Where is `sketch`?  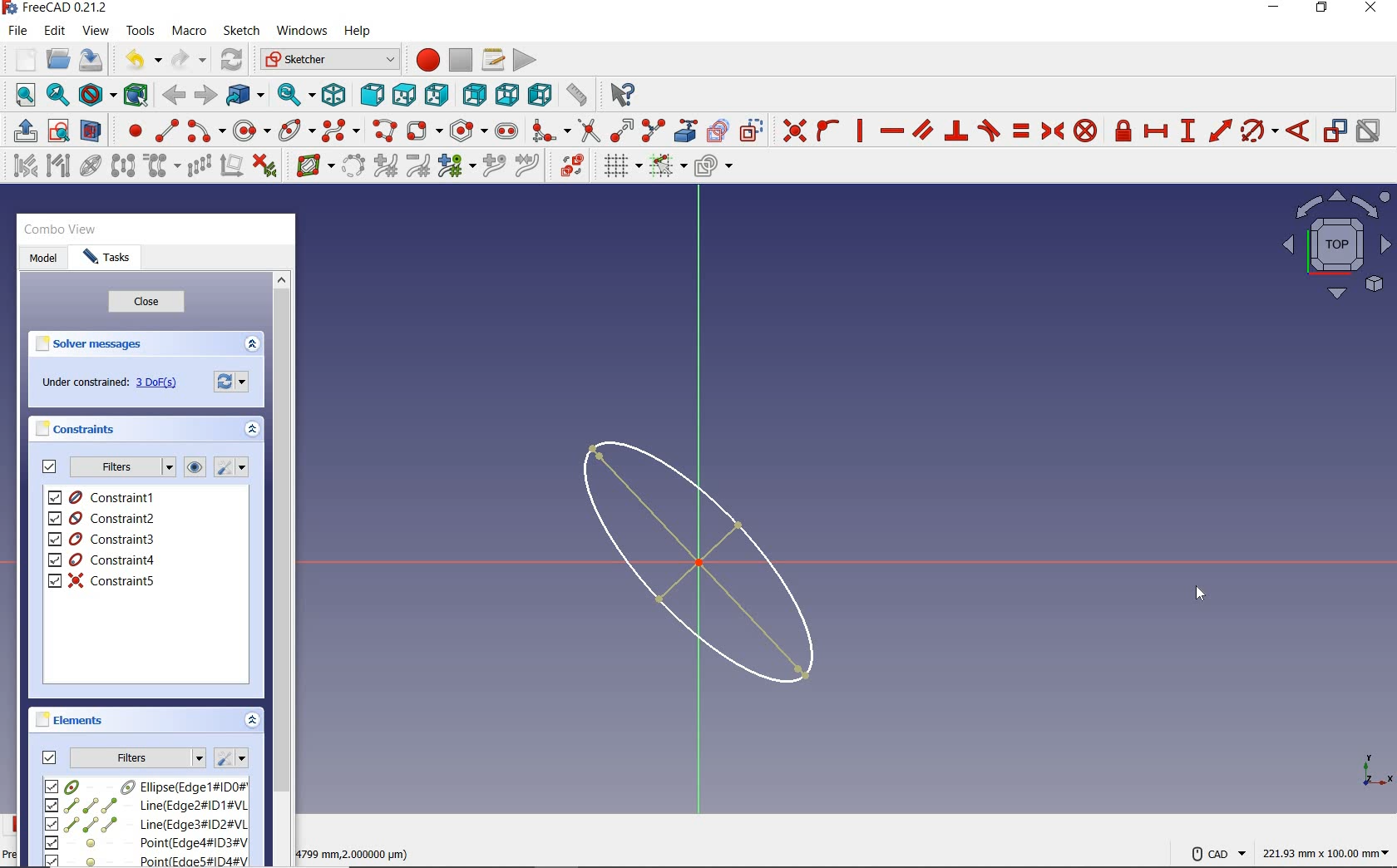 sketch is located at coordinates (240, 31).